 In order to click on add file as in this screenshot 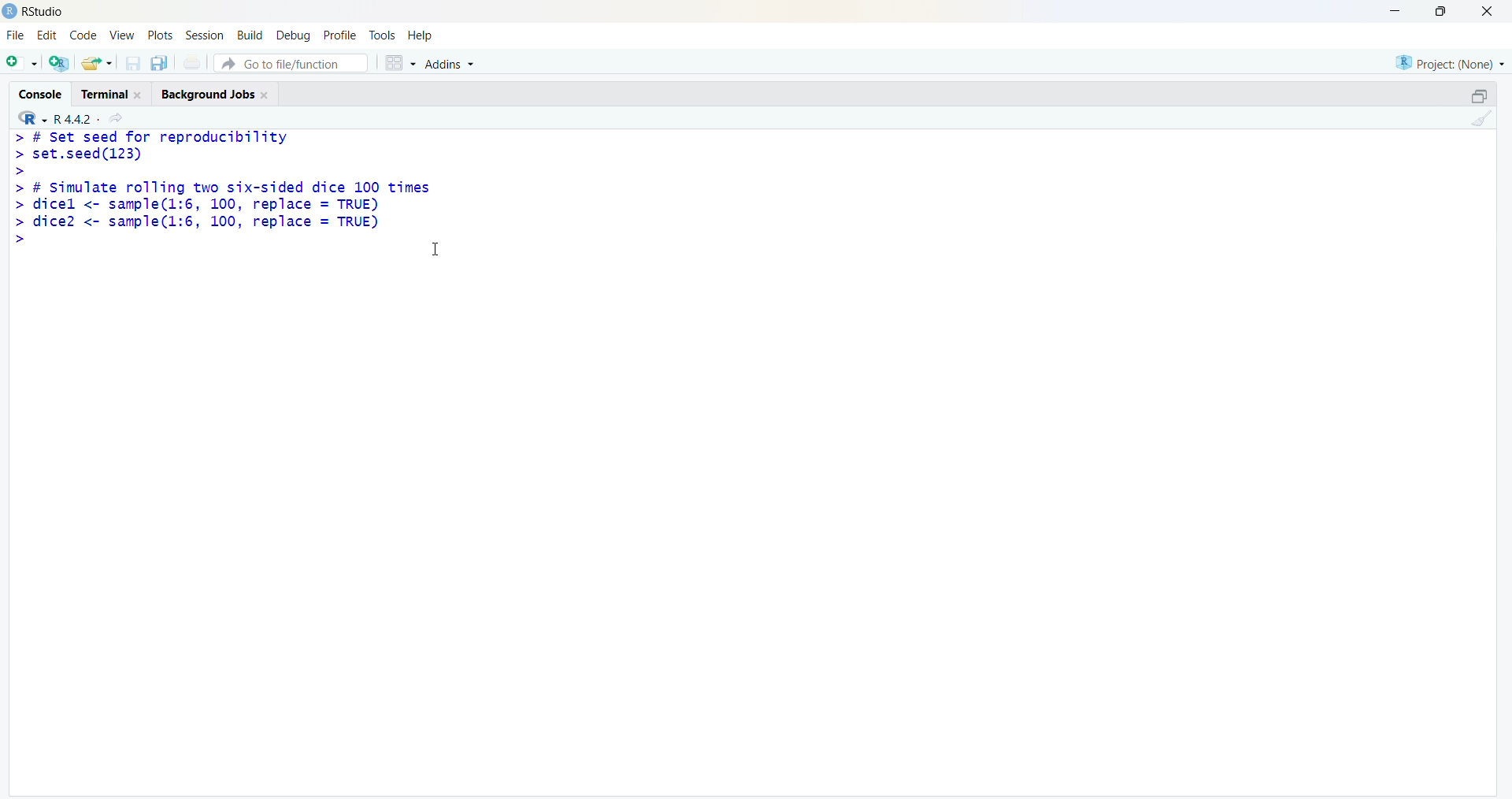, I will do `click(23, 63)`.